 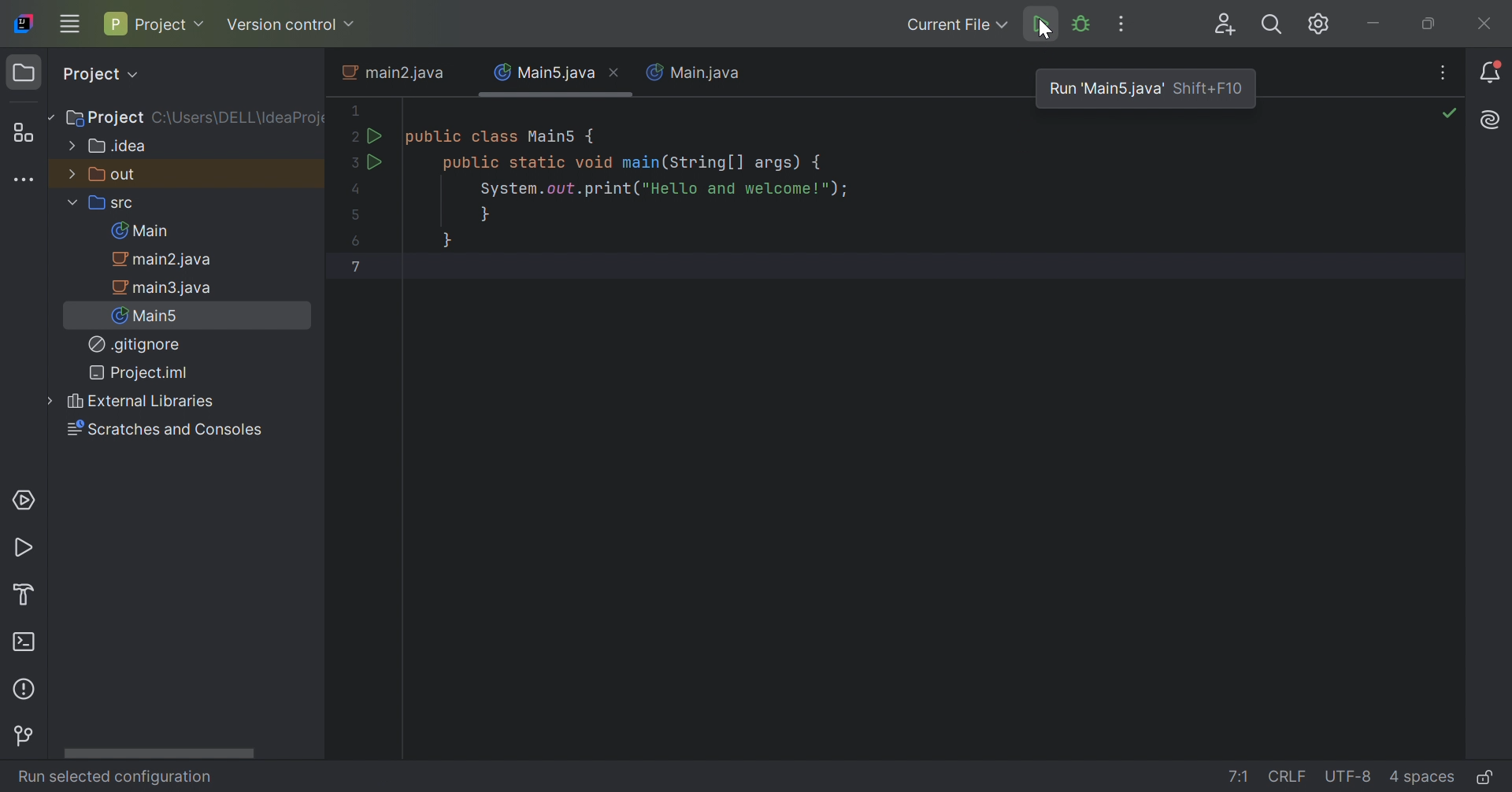 What do you see at coordinates (1039, 25) in the screenshot?
I see `Run` at bounding box center [1039, 25].